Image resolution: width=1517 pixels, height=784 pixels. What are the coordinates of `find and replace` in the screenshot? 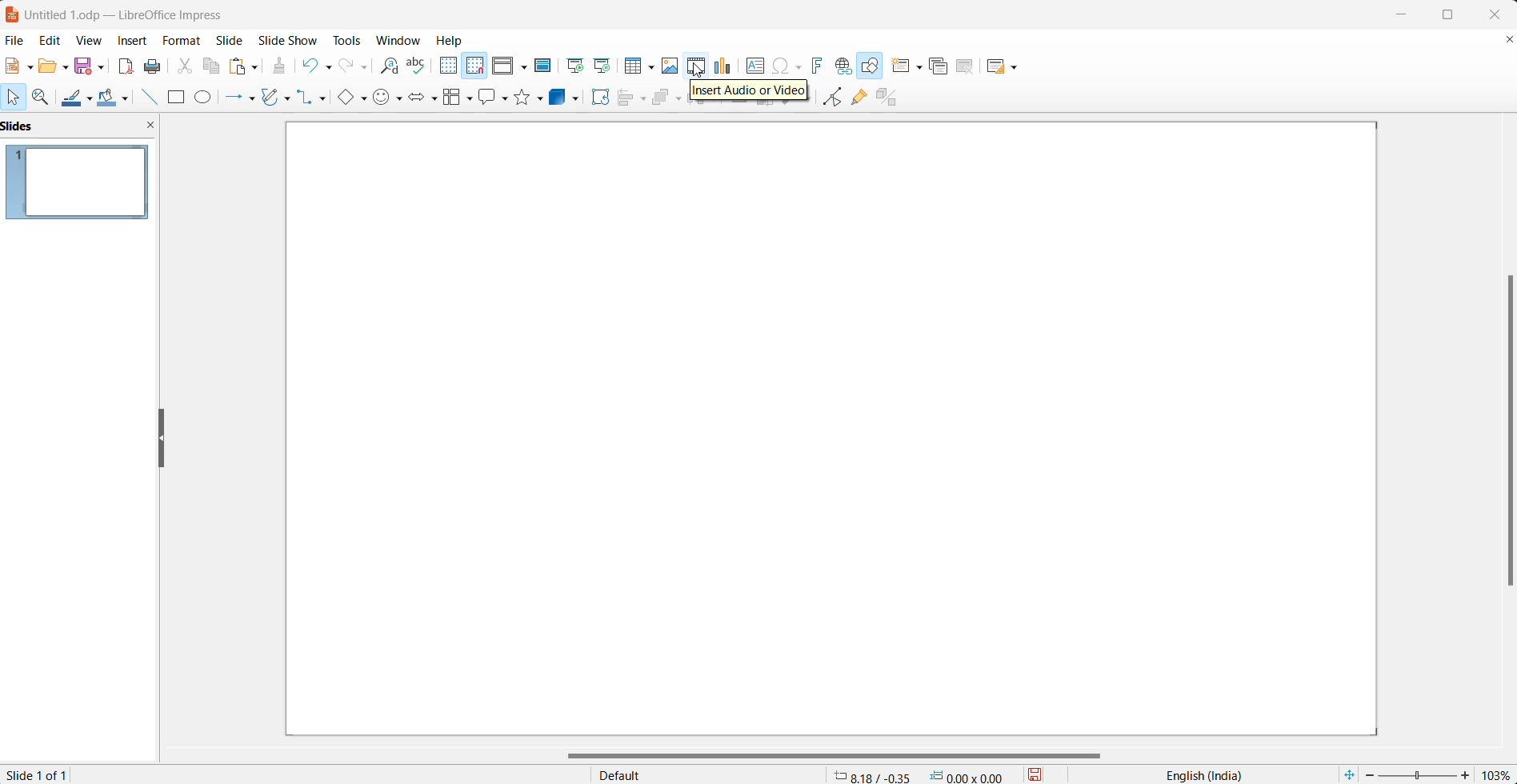 It's located at (391, 68).